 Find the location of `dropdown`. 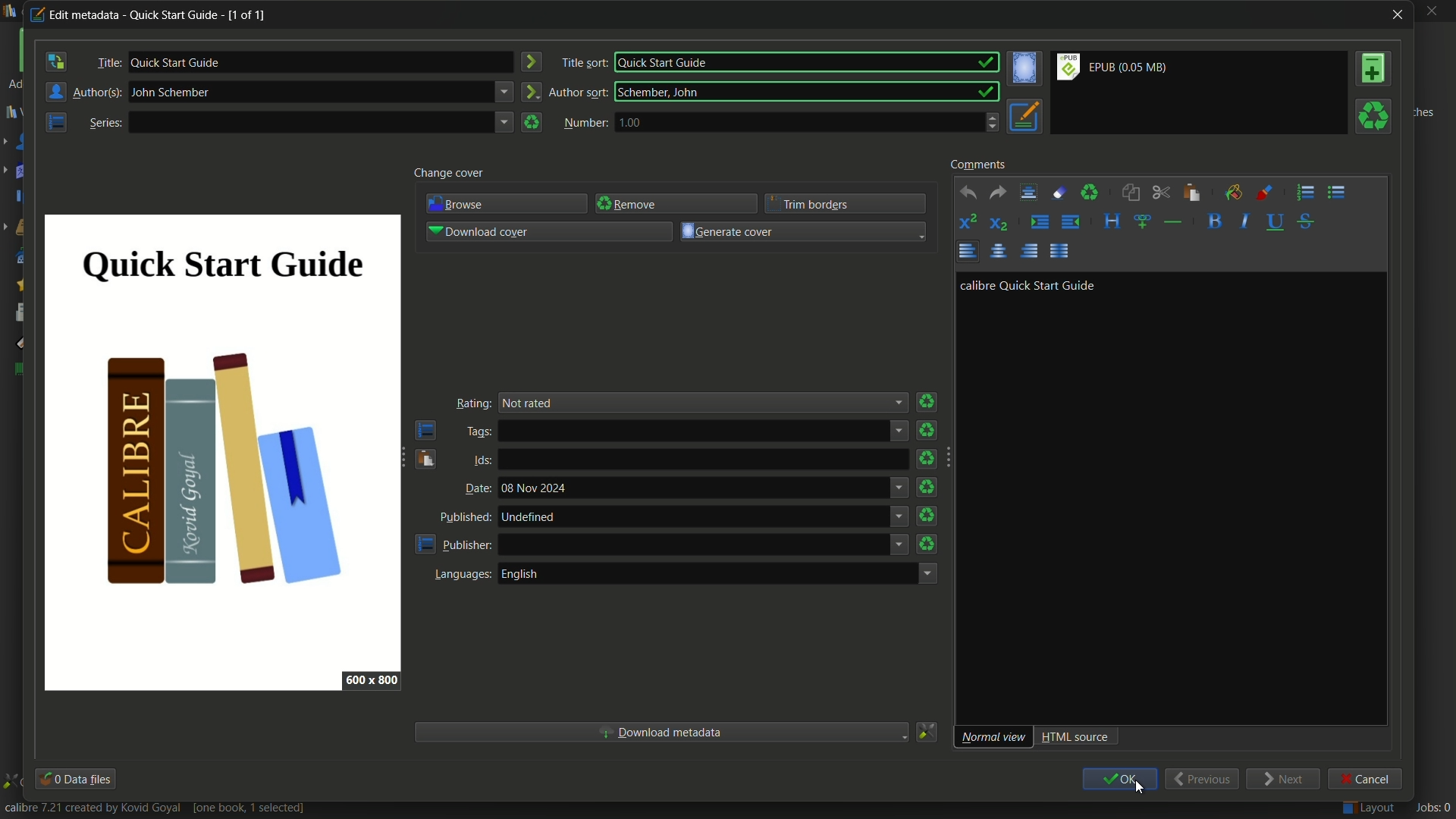

dropdown is located at coordinates (899, 547).